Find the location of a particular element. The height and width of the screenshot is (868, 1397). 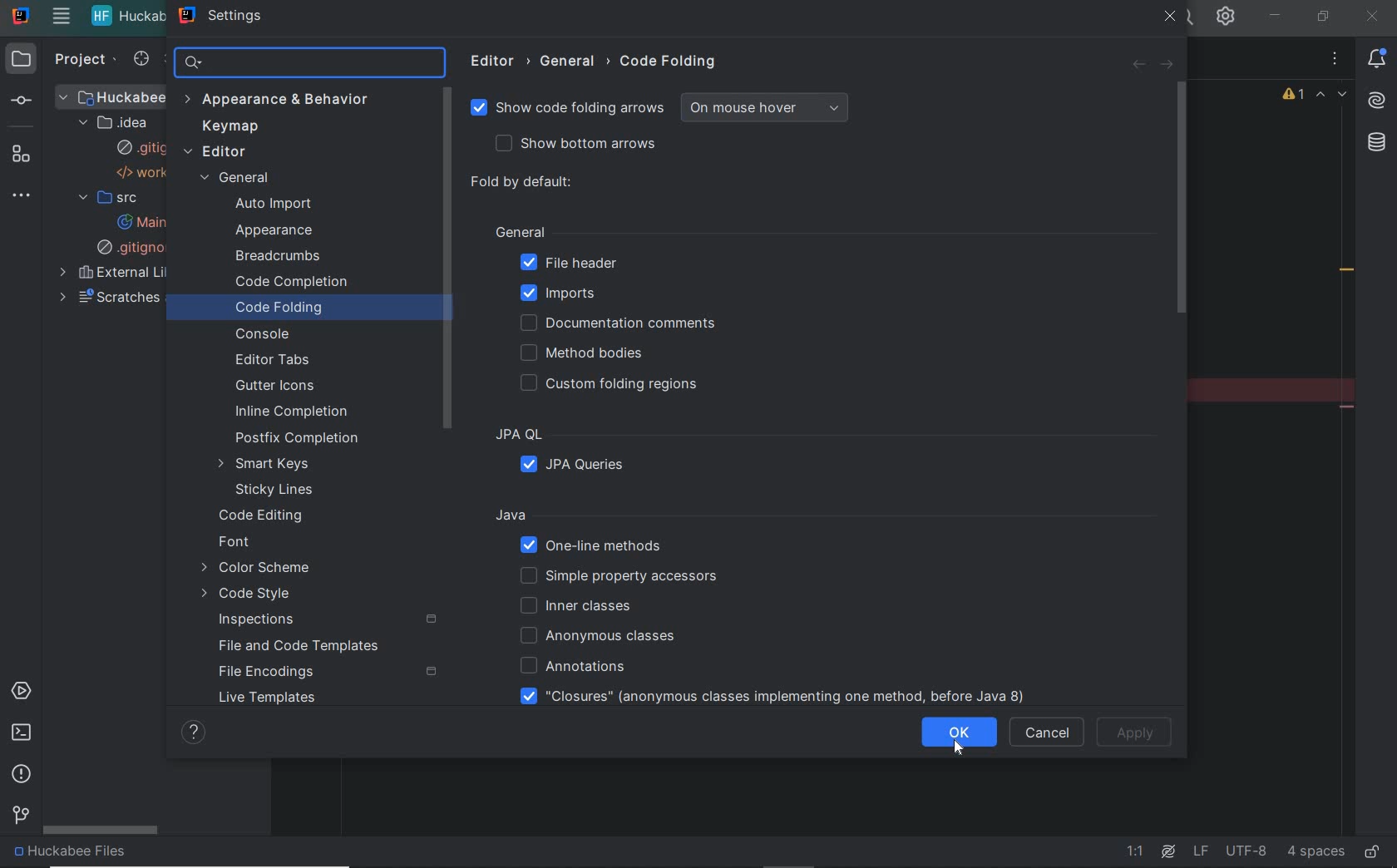

on mouse hover is located at coordinates (763, 109).